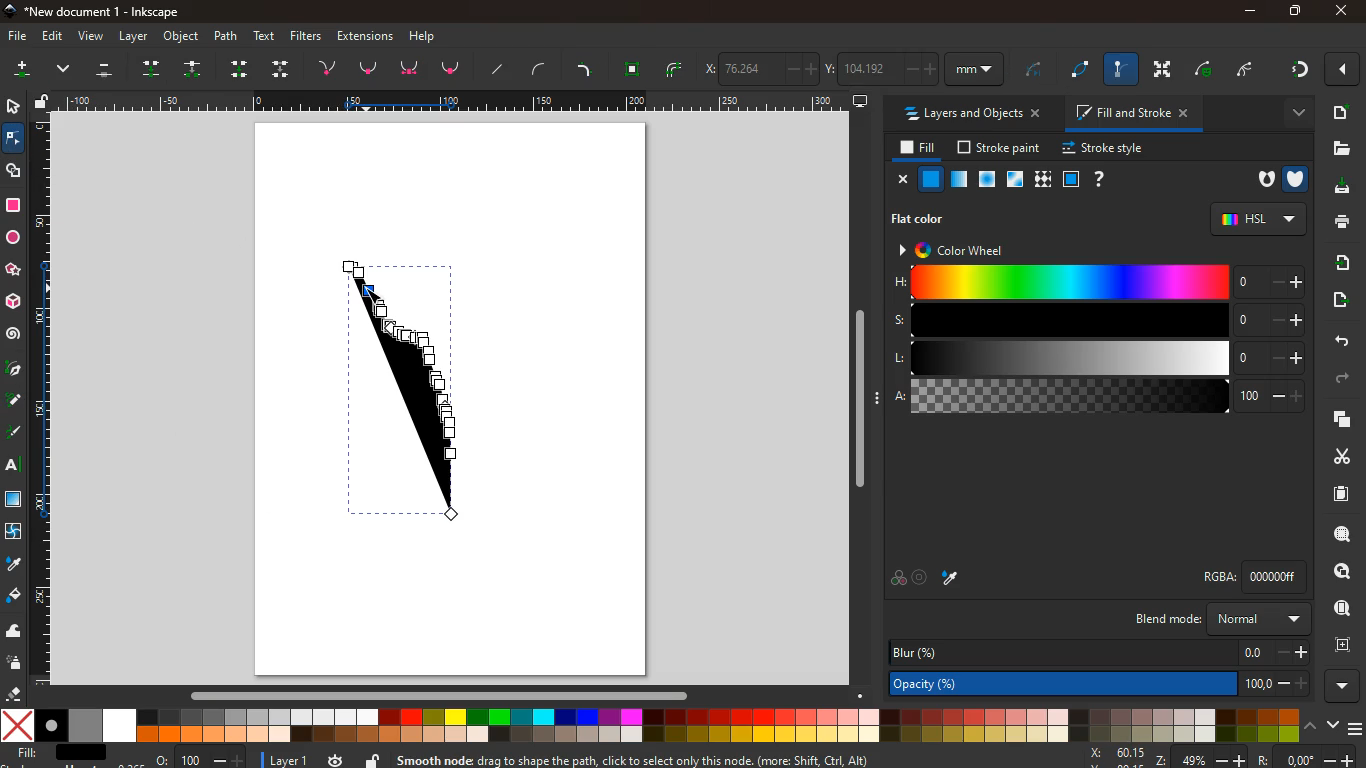 The width and height of the screenshot is (1366, 768). Describe the element at coordinates (862, 399) in the screenshot. I see `Vertical slider` at that location.